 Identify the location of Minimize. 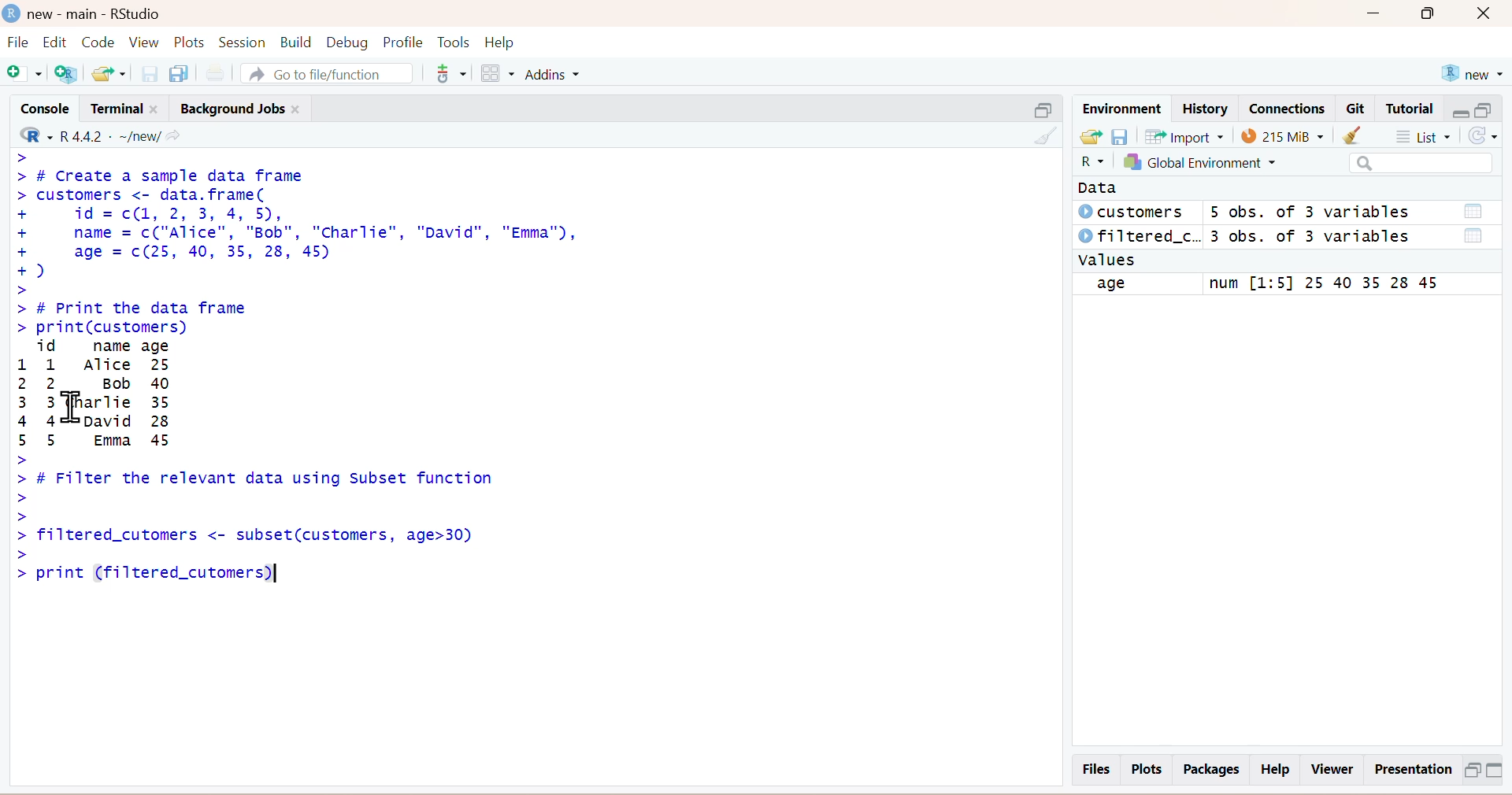
(1499, 771).